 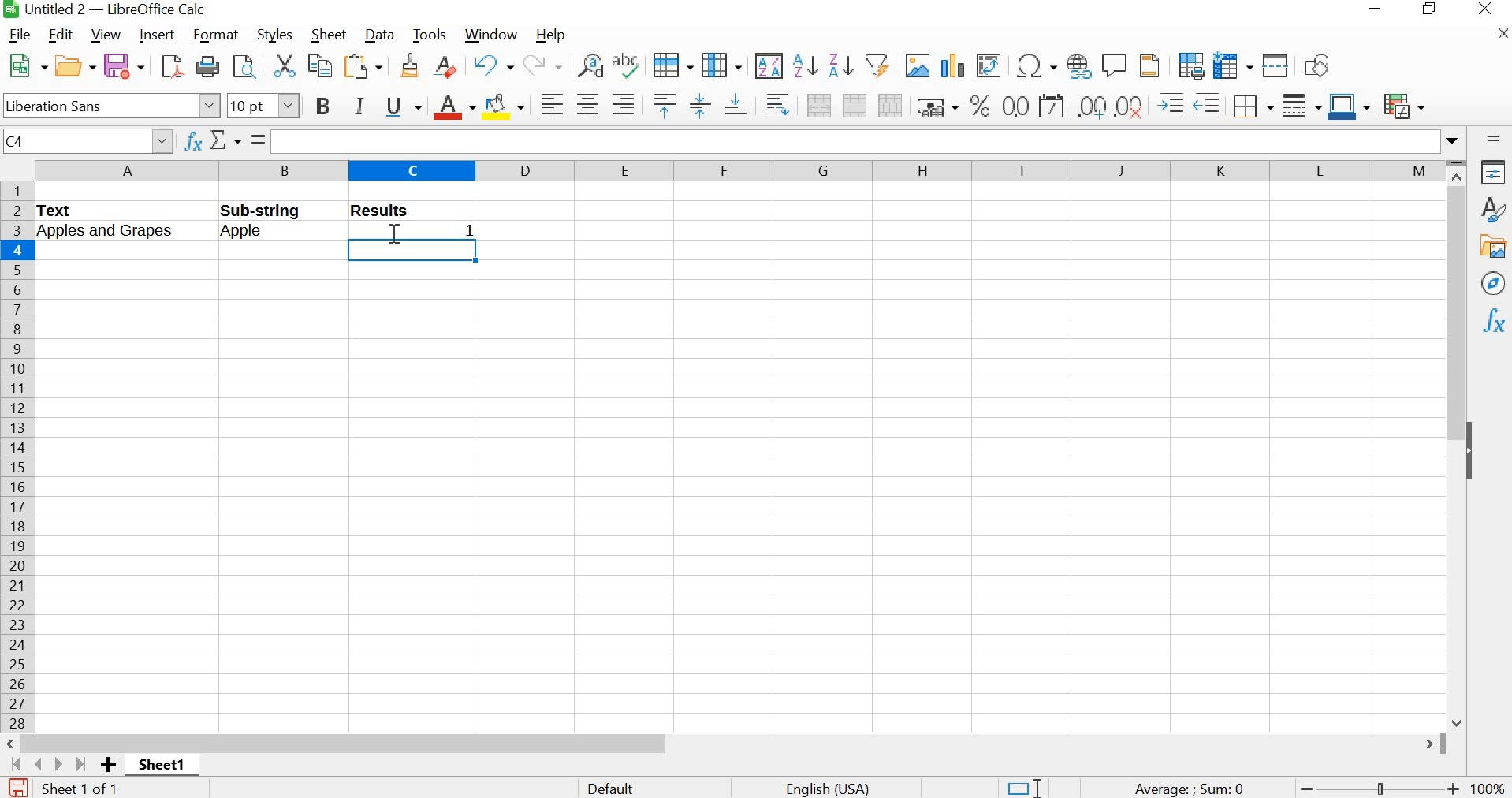 What do you see at coordinates (421, 229) in the screenshot?
I see `returns the value 1 showing that the text "Apple" is in the list of words in column A` at bounding box center [421, 229].